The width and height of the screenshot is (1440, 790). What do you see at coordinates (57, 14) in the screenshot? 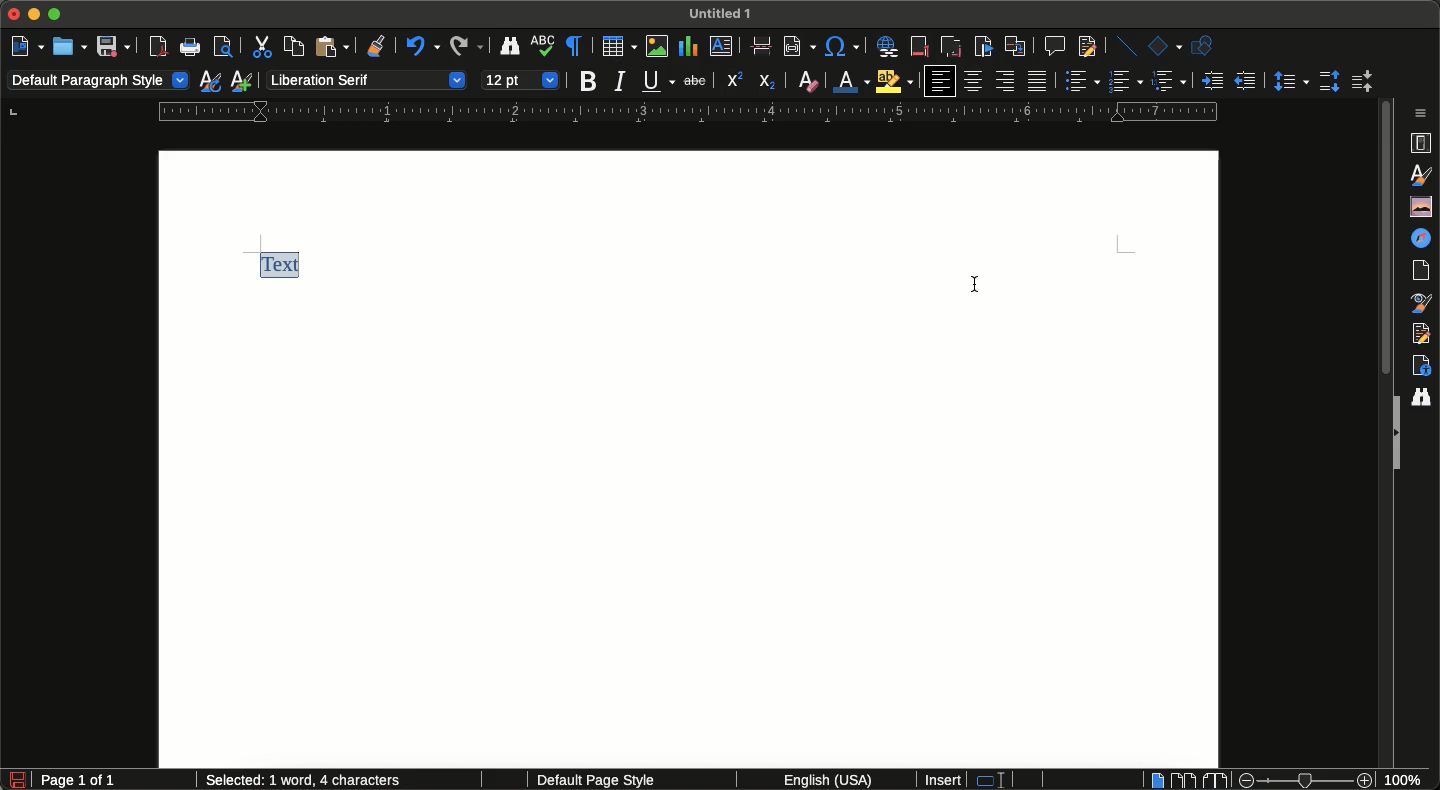
I see `Maximize` at bounding box center [57, 14].